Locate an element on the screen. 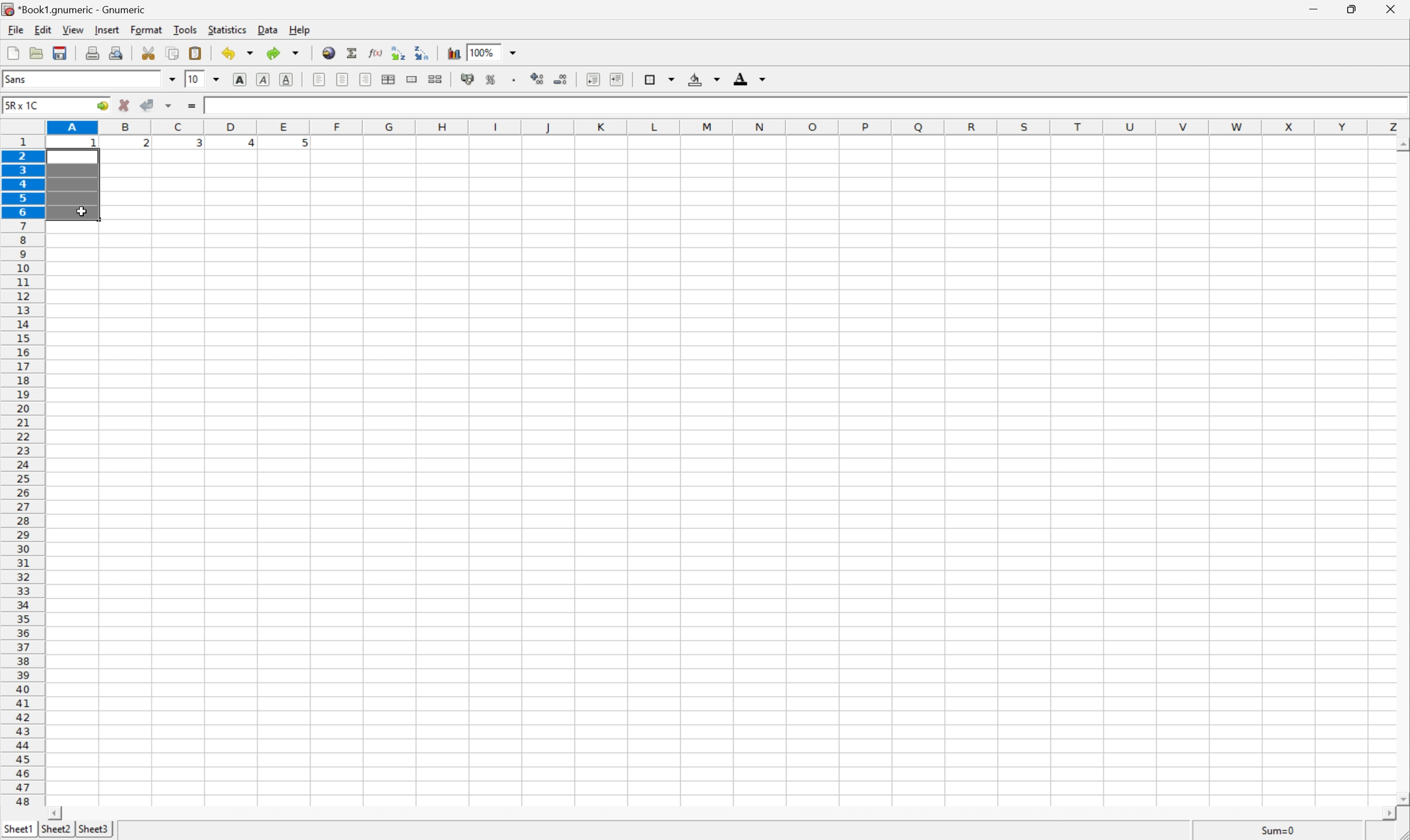 The height and width of the screenshot is (840, 1410). Sort the selected region in descending order based on the first column selected is located at coordinates (422, 53).